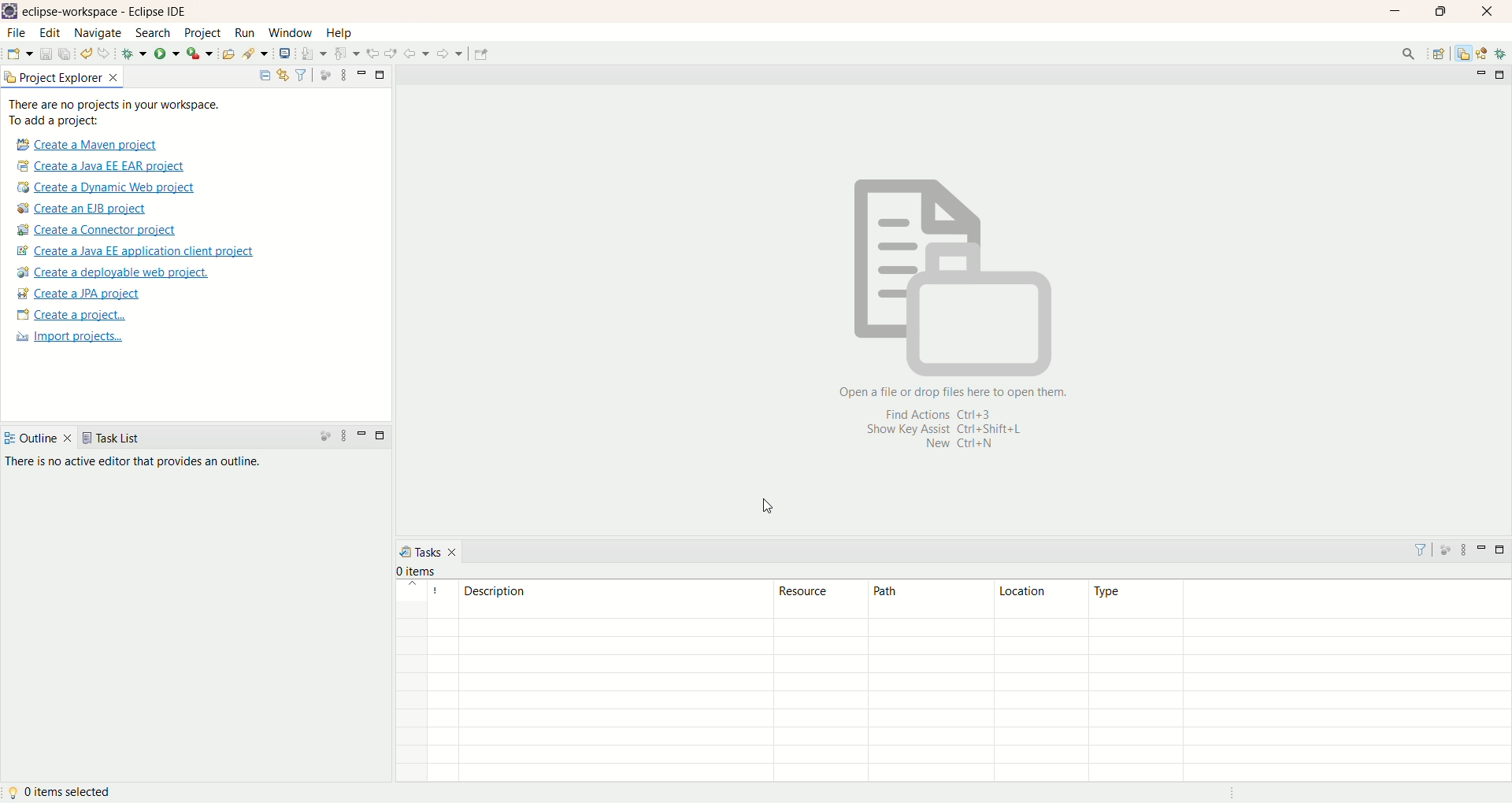 This screenshot has height=803, width=1512. What do you see at coordinates (951, 394) in the screenshot?
I see `open a file or drop here to open` at bounding box center [951, 394].